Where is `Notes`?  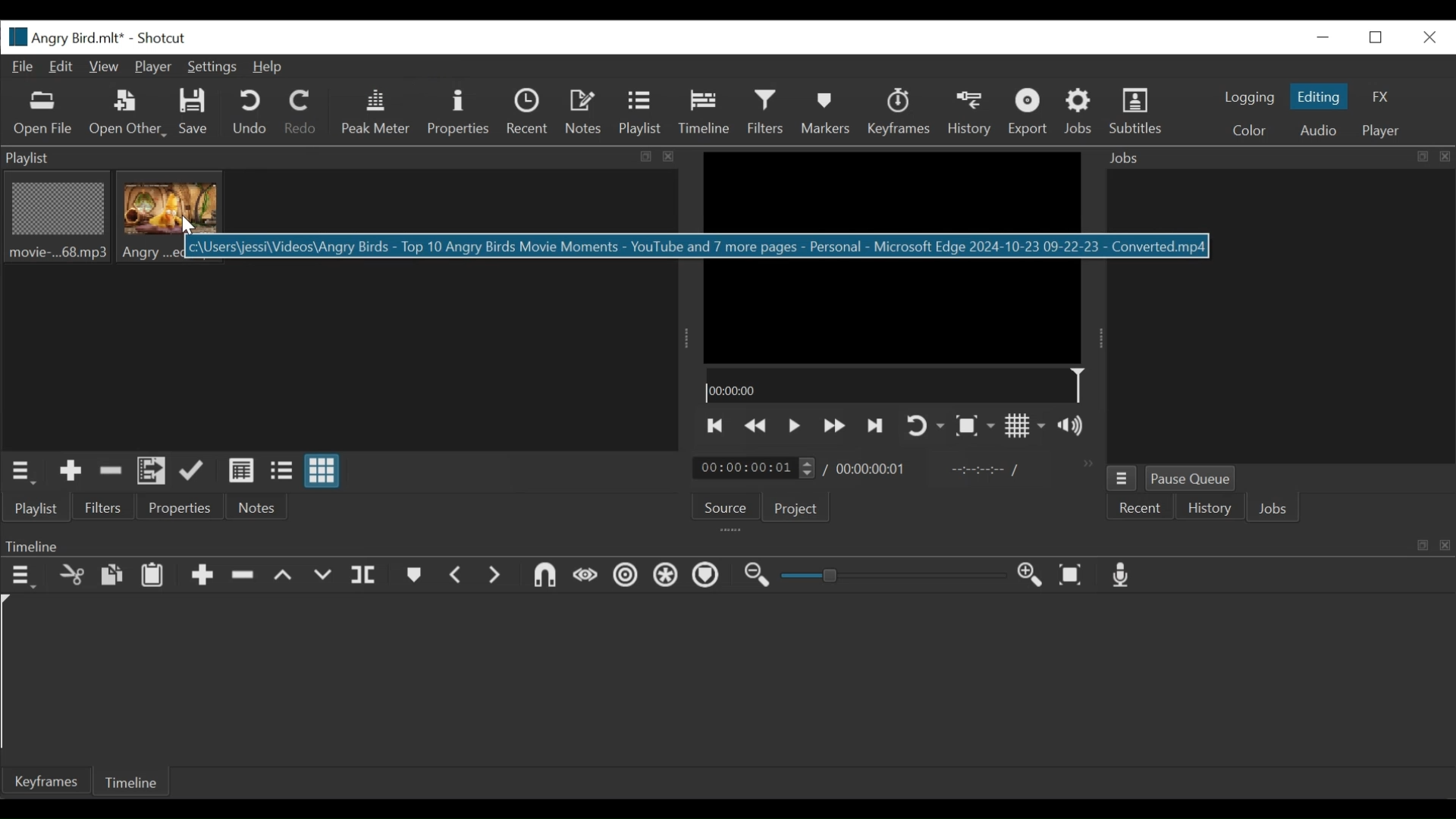
Notes is located at coordinates (253, 507).